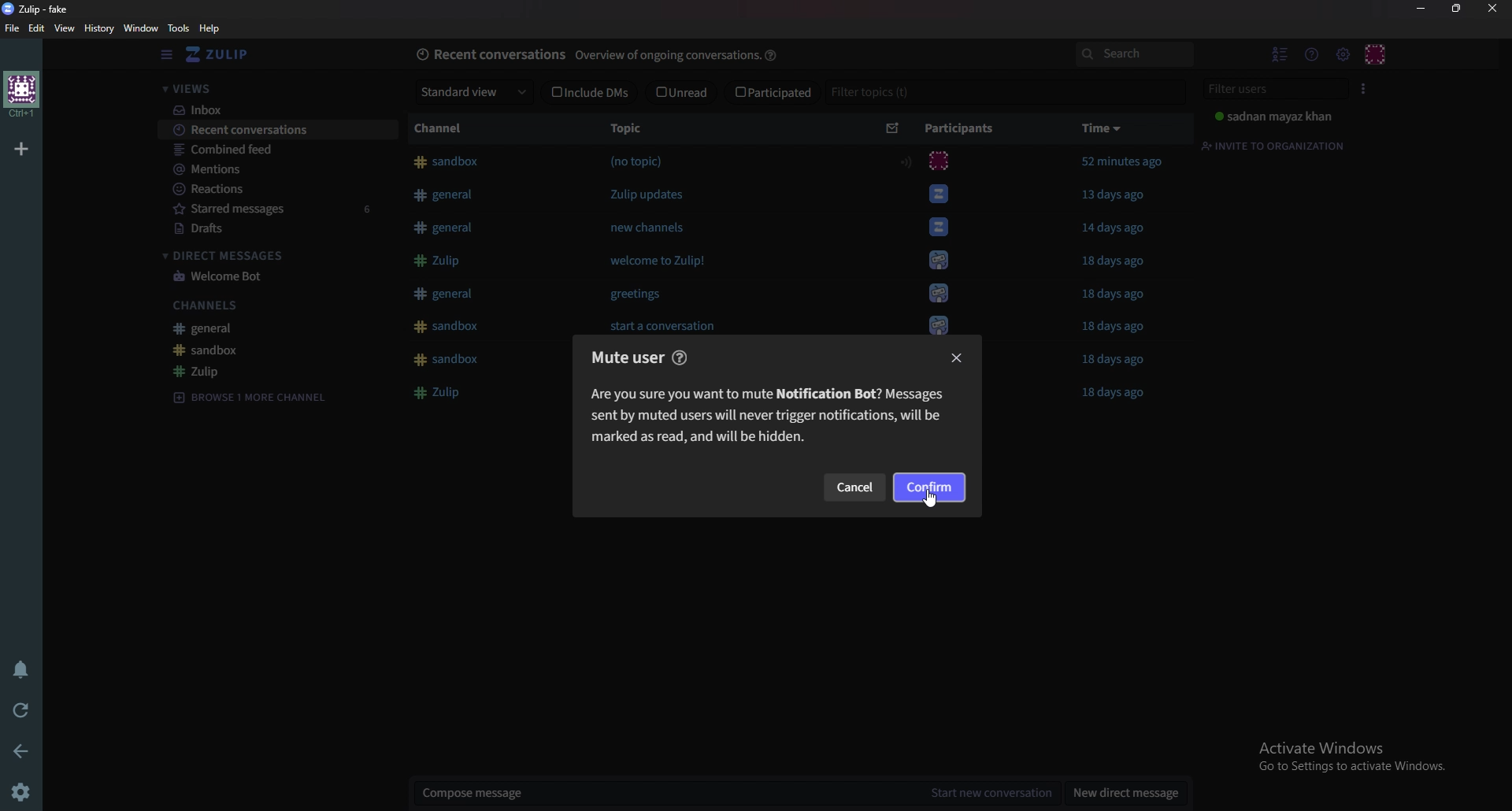 This screenshot has width=1512, height=811. What do you see at coordinates (1340, 54) in the screenshot?
I see `Main menu` at bounding box center [1340, 54].